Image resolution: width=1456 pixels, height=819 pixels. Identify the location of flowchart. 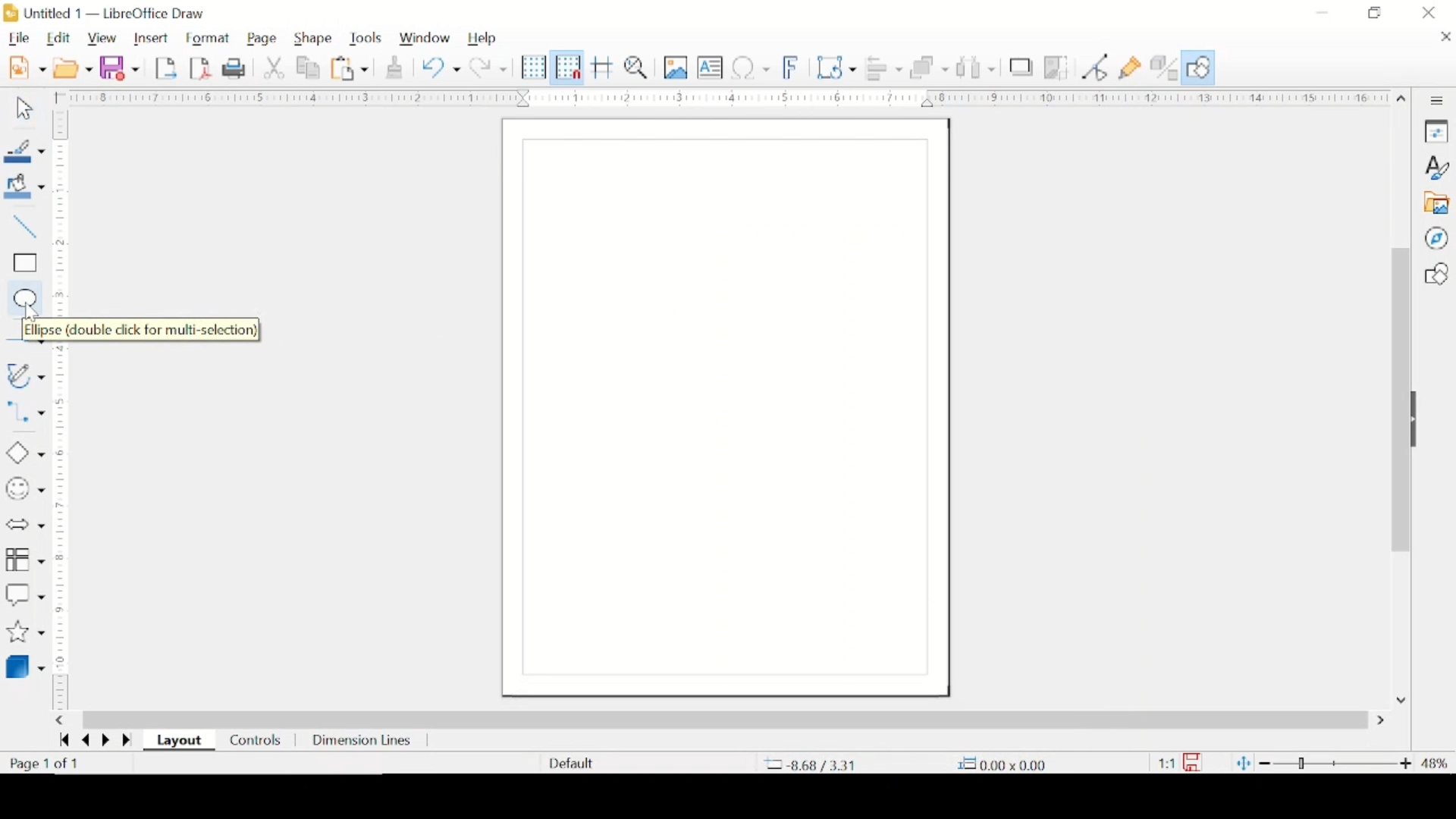
(24, 560).